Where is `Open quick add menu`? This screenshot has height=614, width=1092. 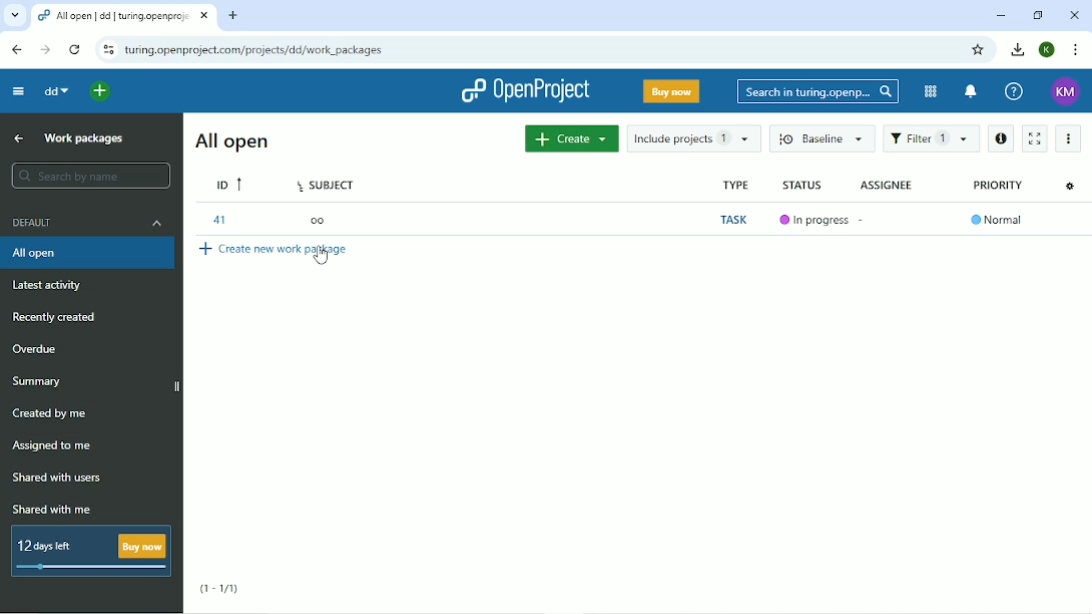
Open quick add menu is located at coordinates (100, 92).